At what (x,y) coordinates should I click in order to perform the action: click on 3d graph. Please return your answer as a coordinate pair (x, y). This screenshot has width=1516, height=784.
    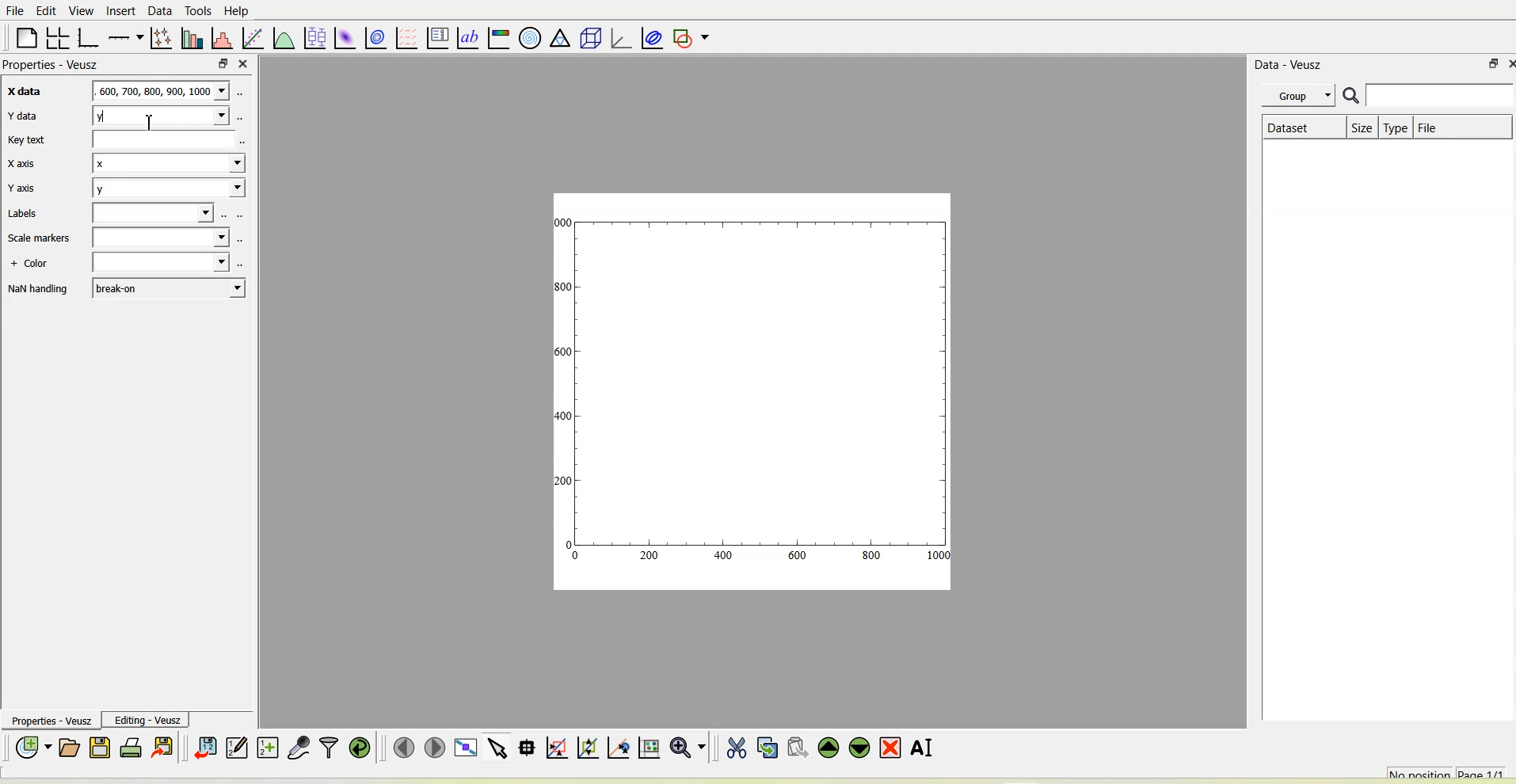
    Looking at the image, I should click on (619, 36).